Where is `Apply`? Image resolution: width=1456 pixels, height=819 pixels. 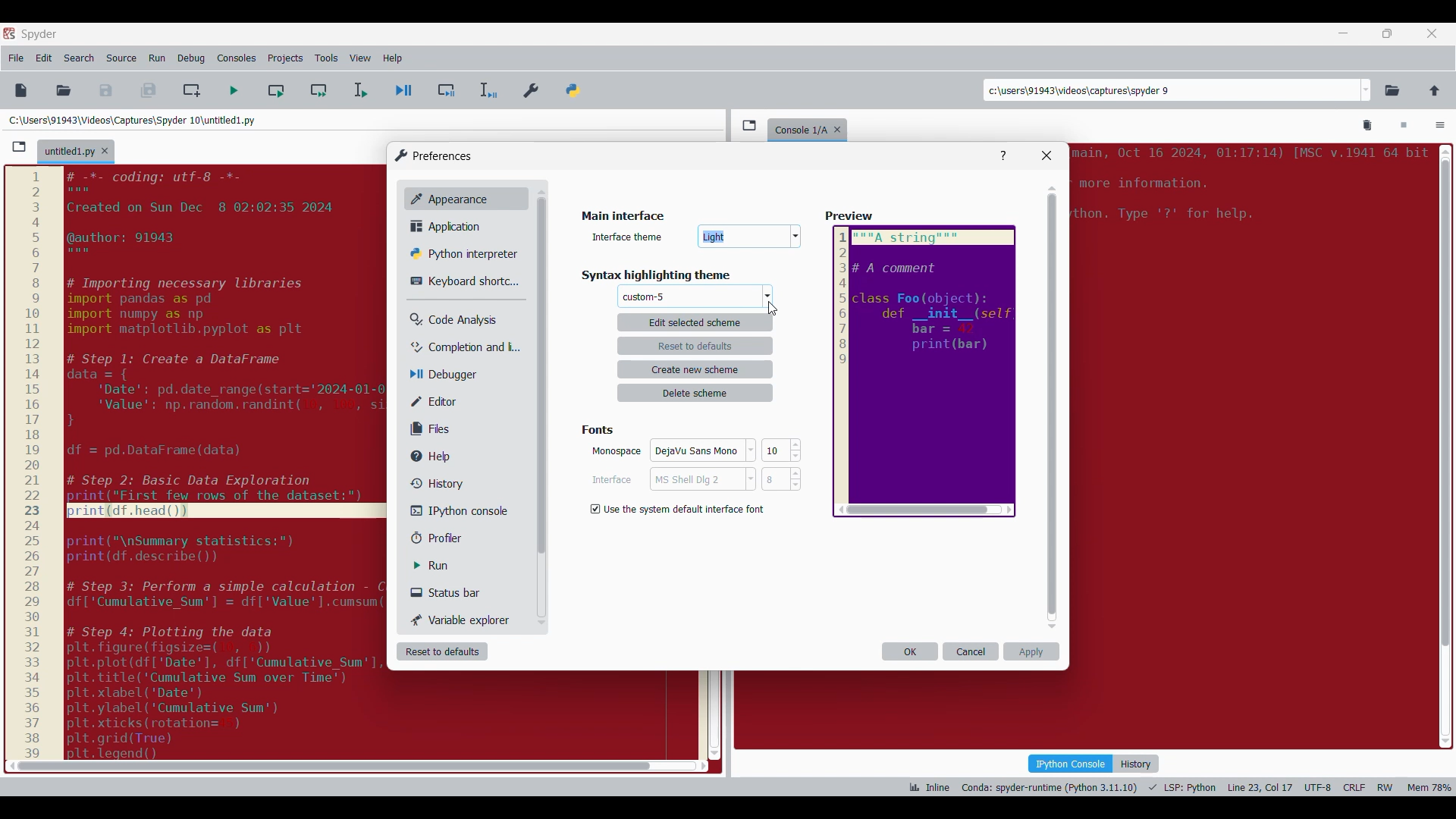 Apply is located at coordinates (1031, 651).